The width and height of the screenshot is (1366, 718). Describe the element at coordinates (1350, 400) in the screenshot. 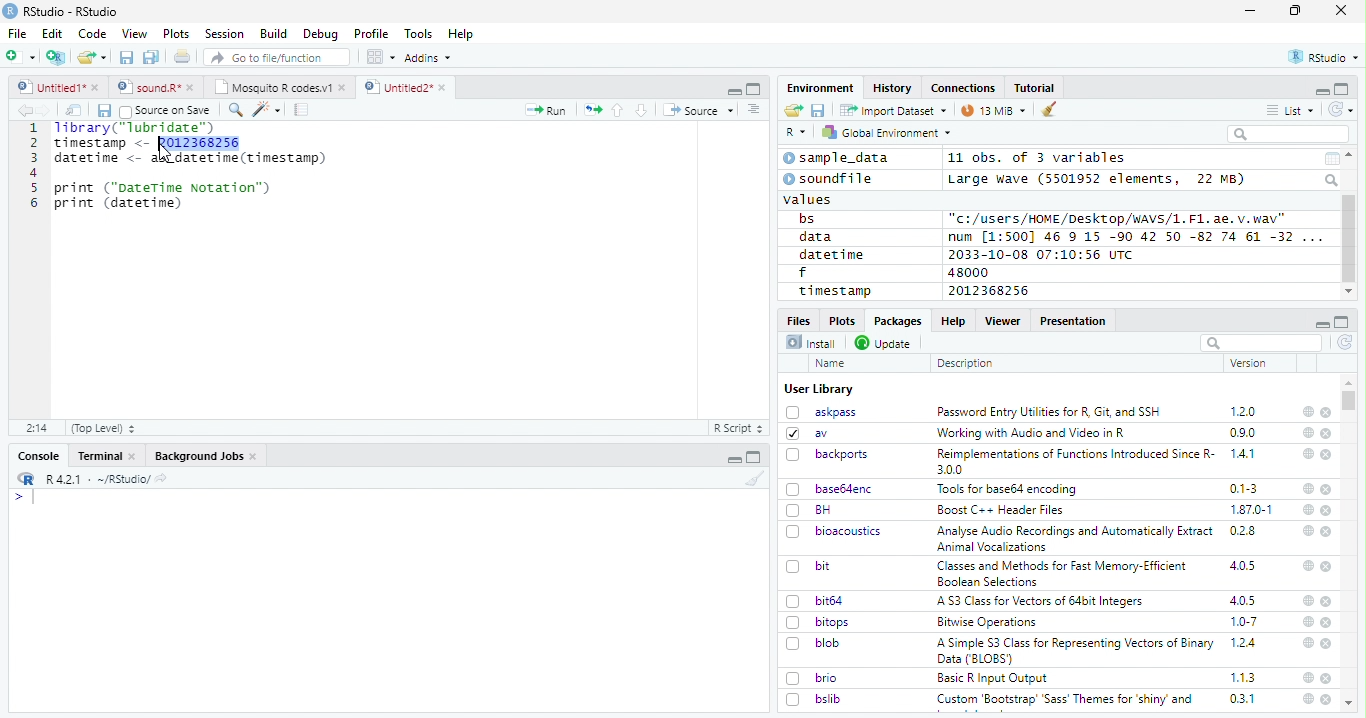

I see `scroll bar` at that location.